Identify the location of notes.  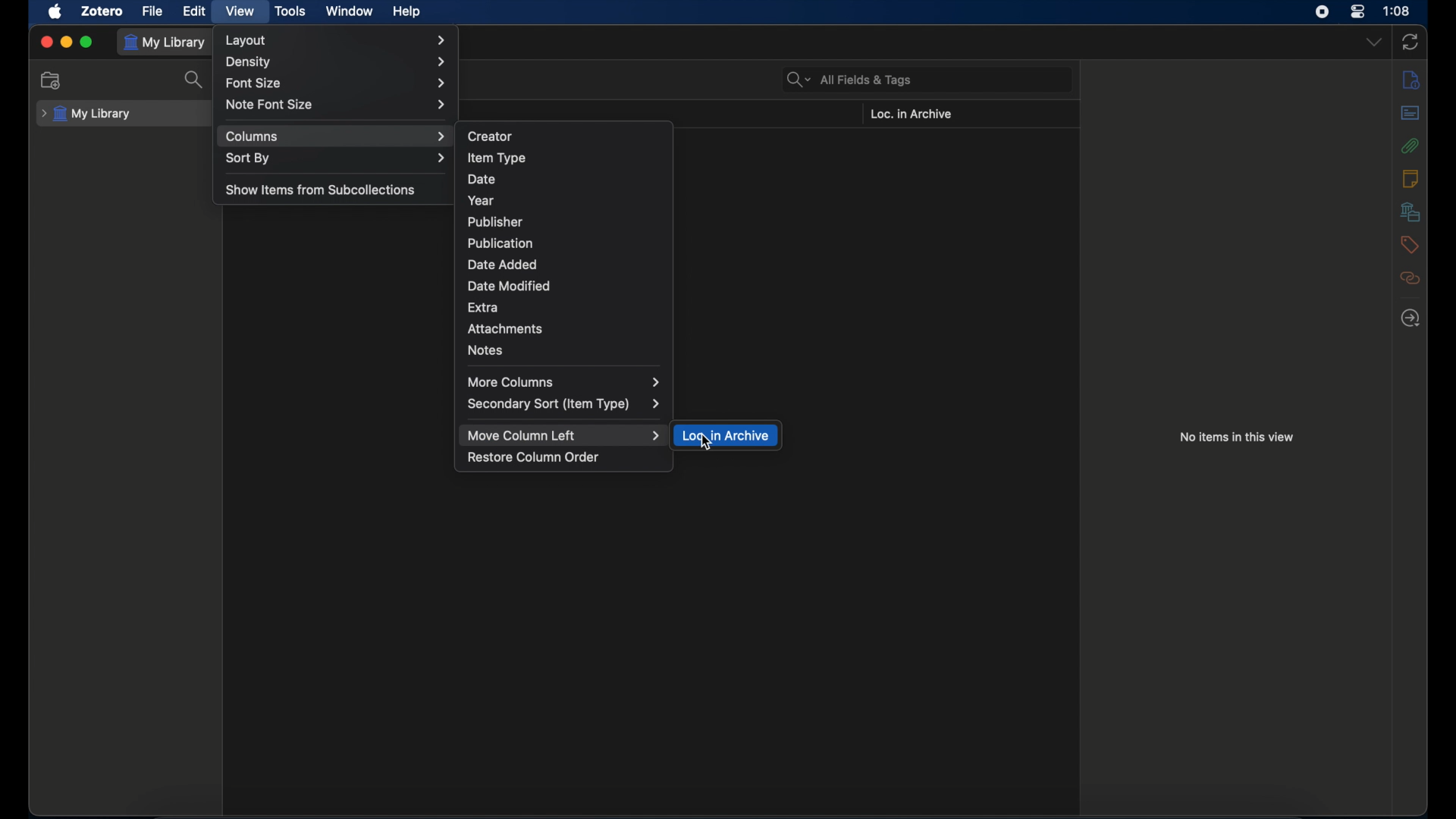
(486, 350).